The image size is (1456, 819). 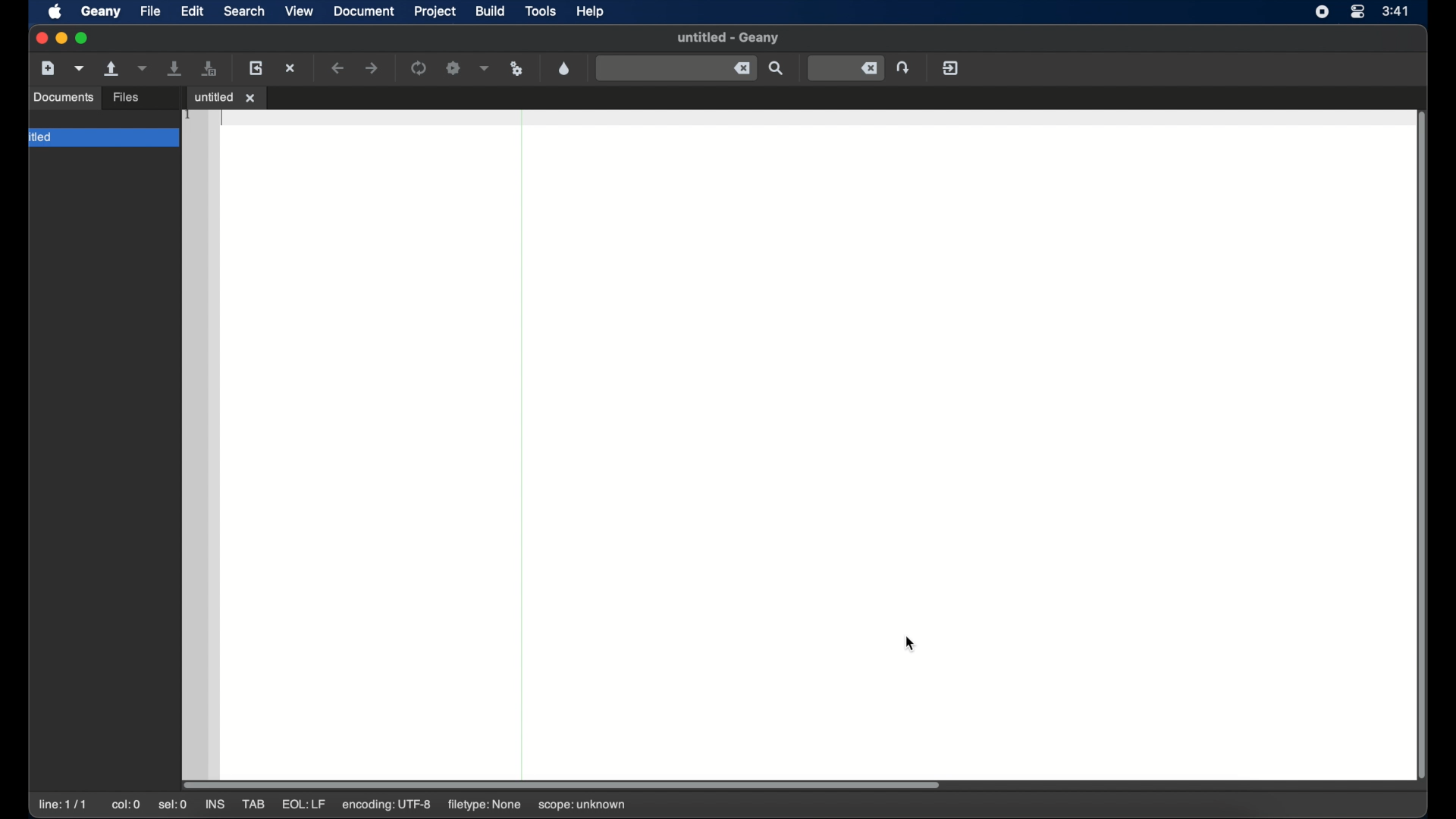 I want to click on time, so click(x=1395, y=10).